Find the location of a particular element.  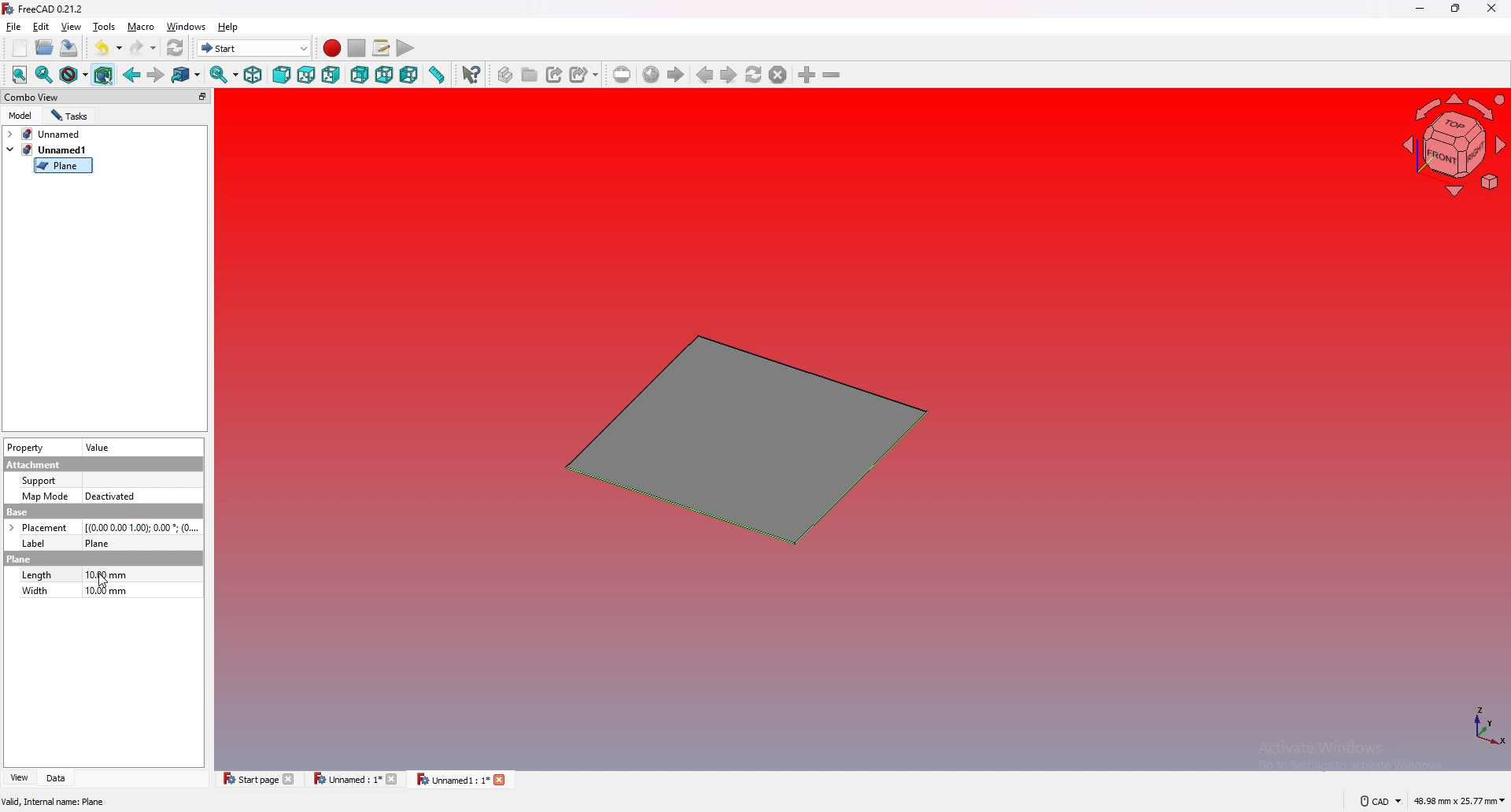

back is located at coordinates (132, 74).